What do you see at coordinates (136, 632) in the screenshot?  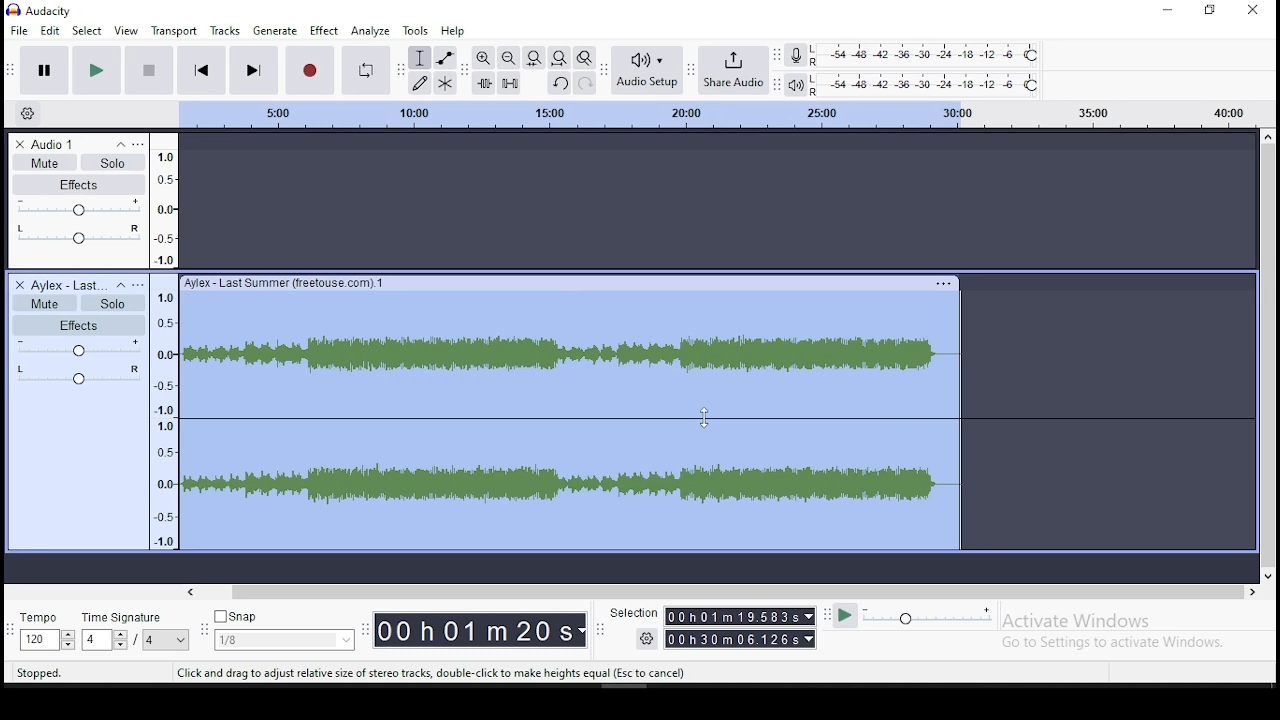 I see `rime signature` at bounding box center [136, 632].